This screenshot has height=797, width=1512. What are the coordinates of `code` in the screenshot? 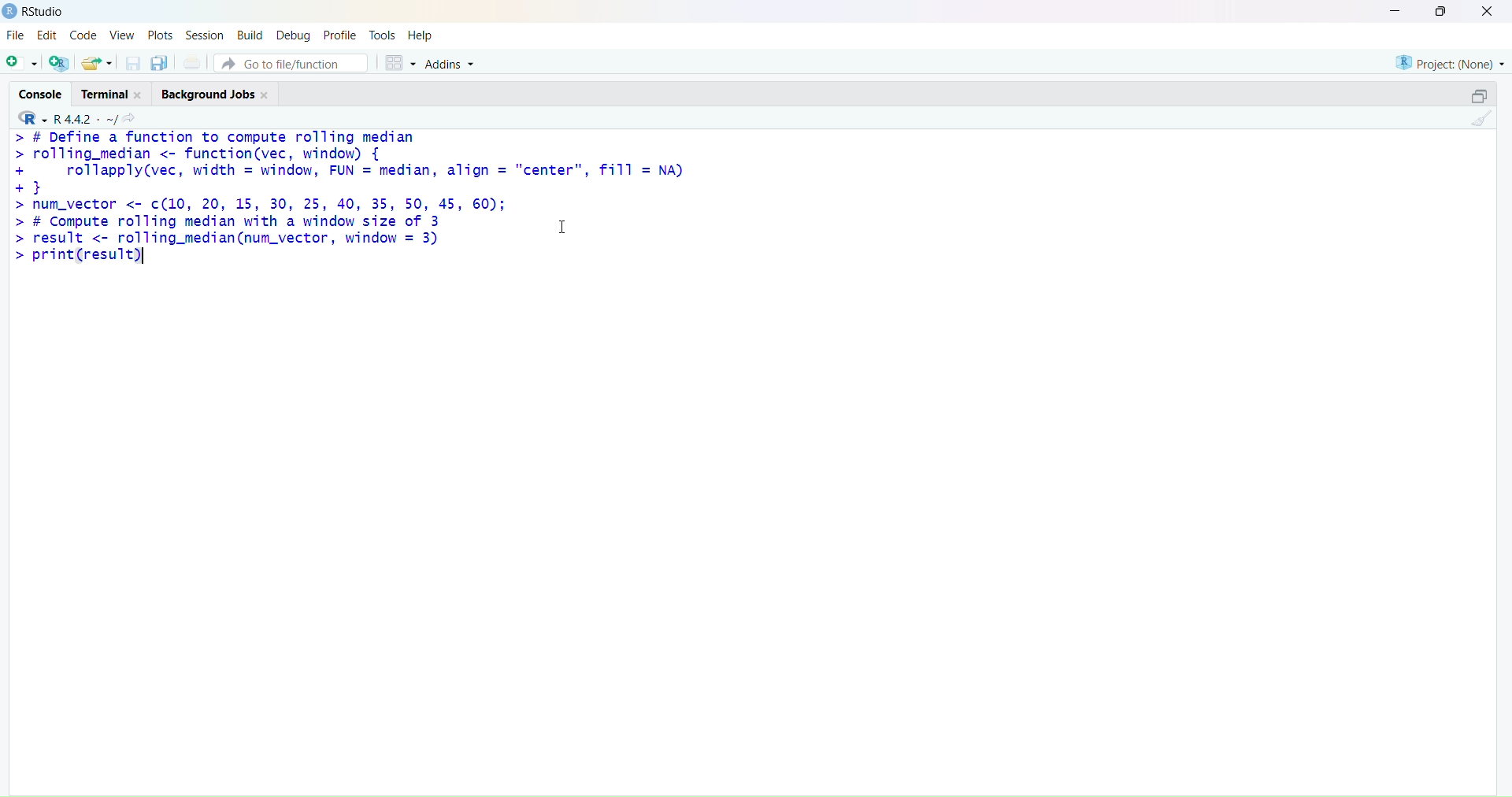 It's located at (84, 35).